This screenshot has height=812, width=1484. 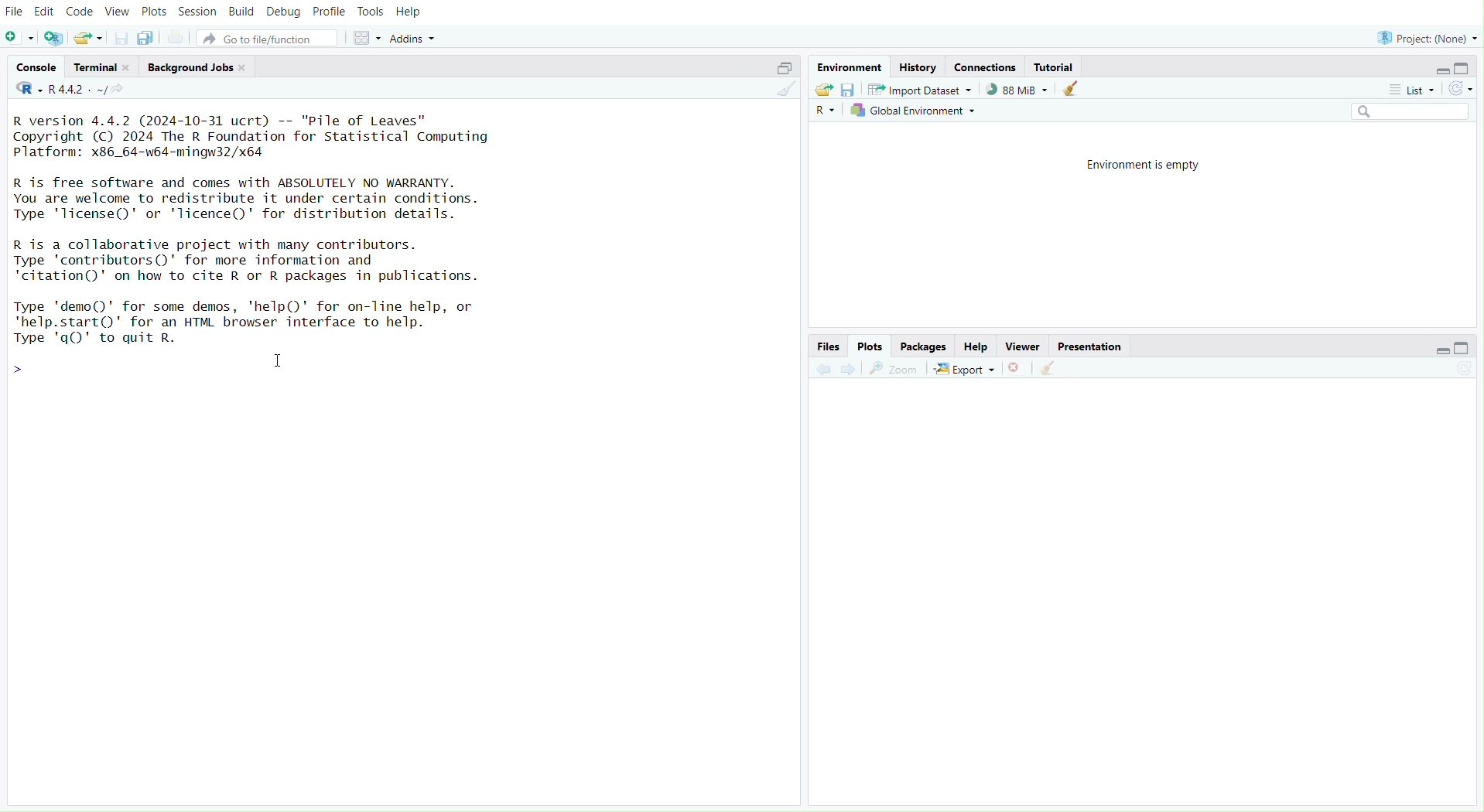 What do you see at coordinates (850, 370) in the screenshot?
I see `Go forward to the next source location (Ctrl + F10)` at bounding box center [850, 370].